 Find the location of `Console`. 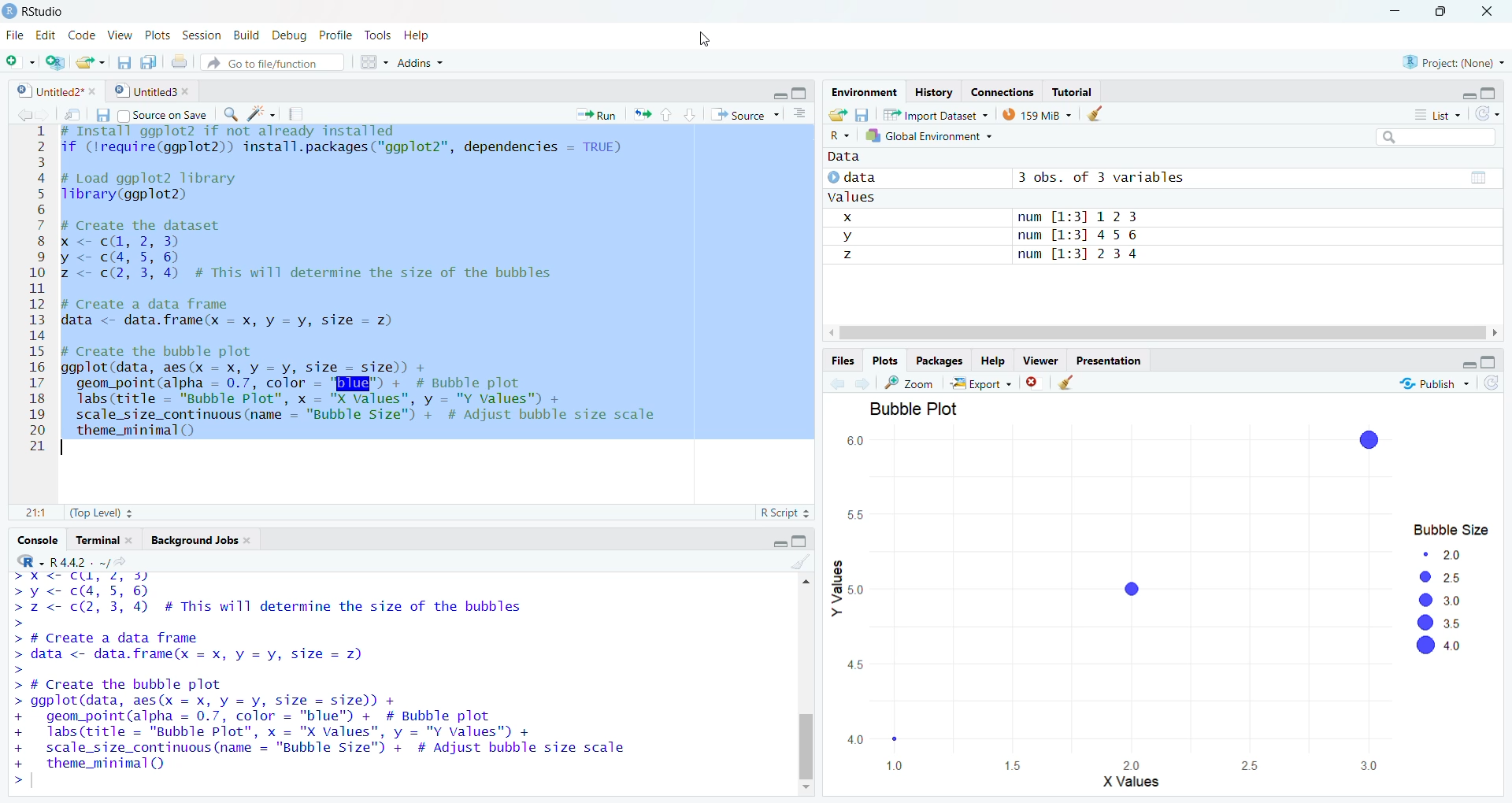

Console is located at coordinates (37, 539).